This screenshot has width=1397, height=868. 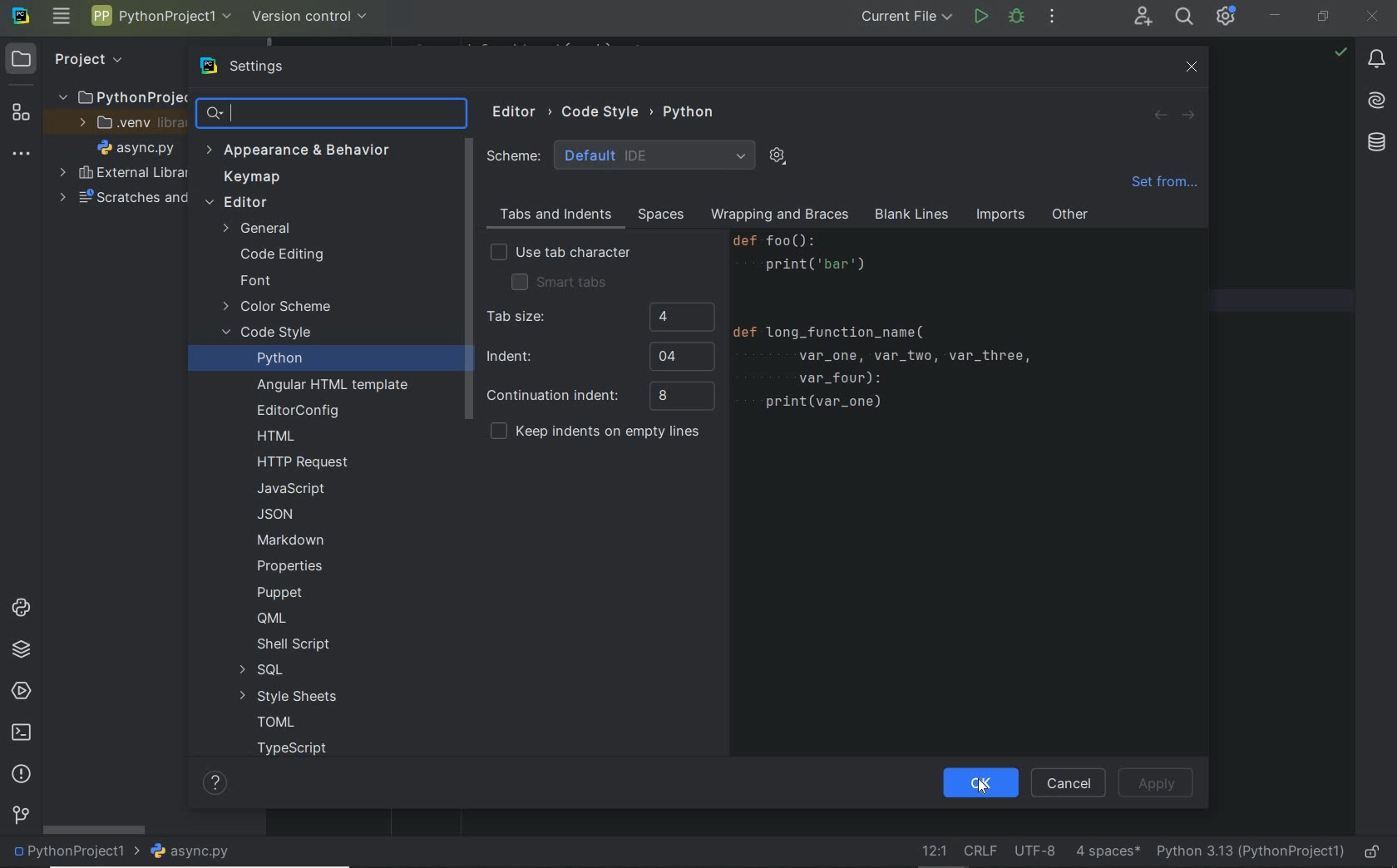 I want to click on JAVASCRIPT, so click(x=289, y=489).